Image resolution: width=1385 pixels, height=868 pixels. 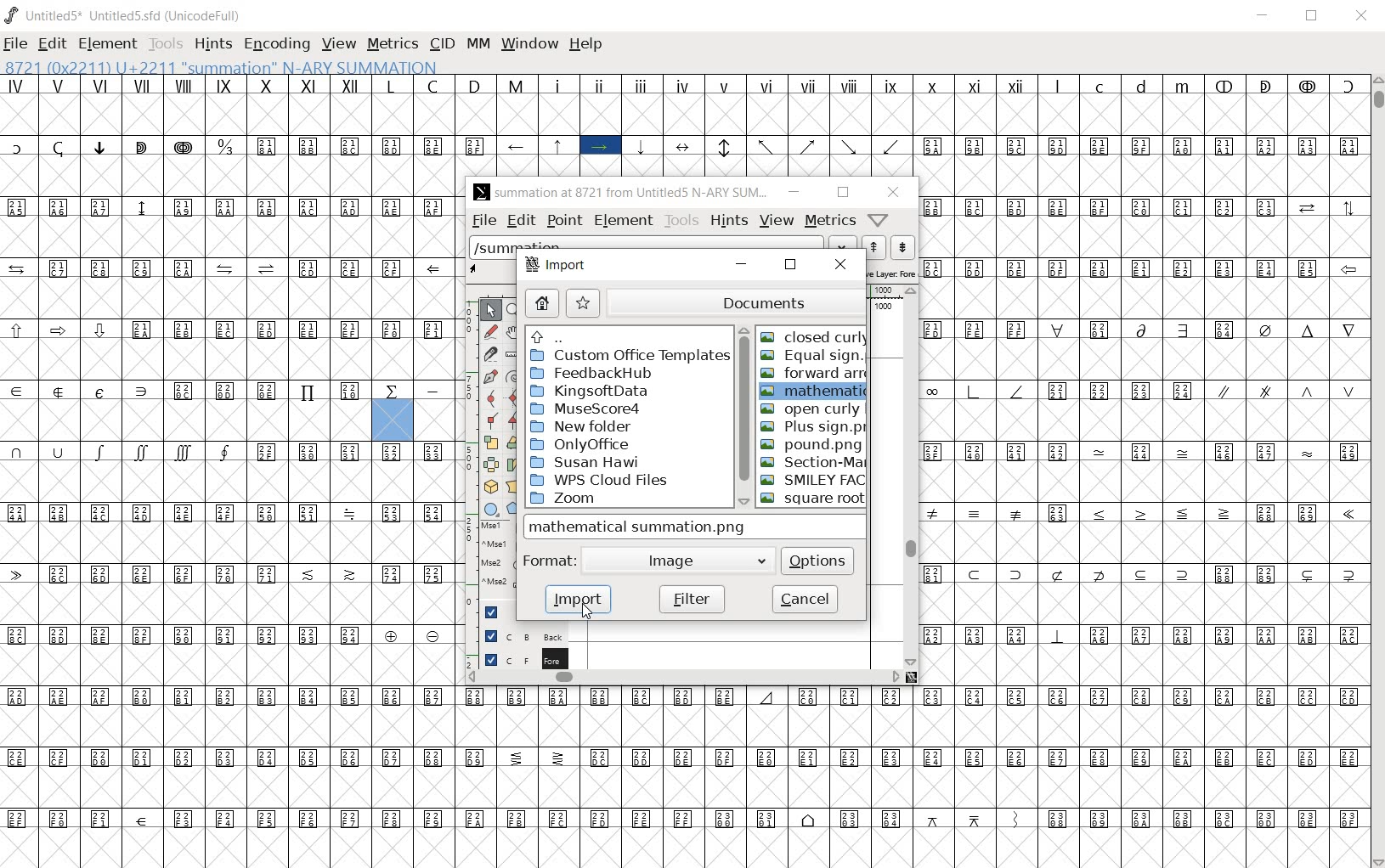 I want to click on documents, so click(x=738, y=302).